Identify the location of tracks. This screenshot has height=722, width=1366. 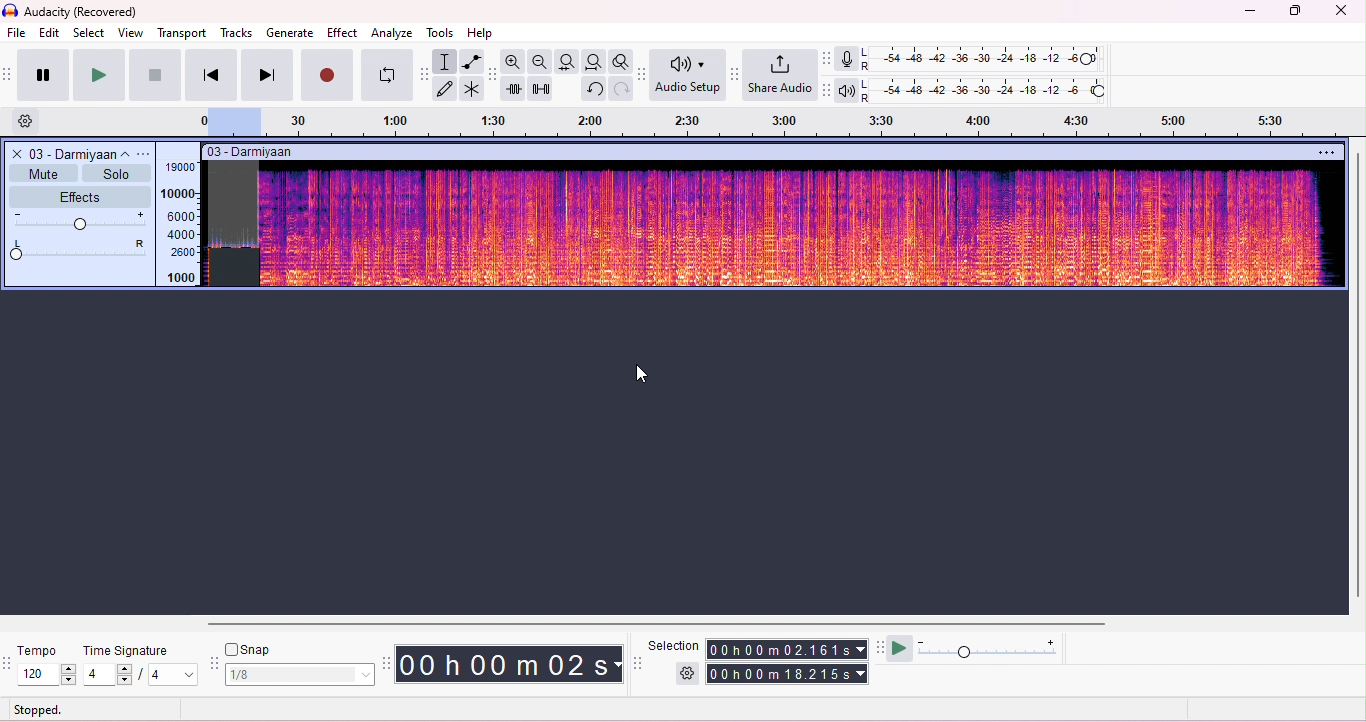
(237, 34).